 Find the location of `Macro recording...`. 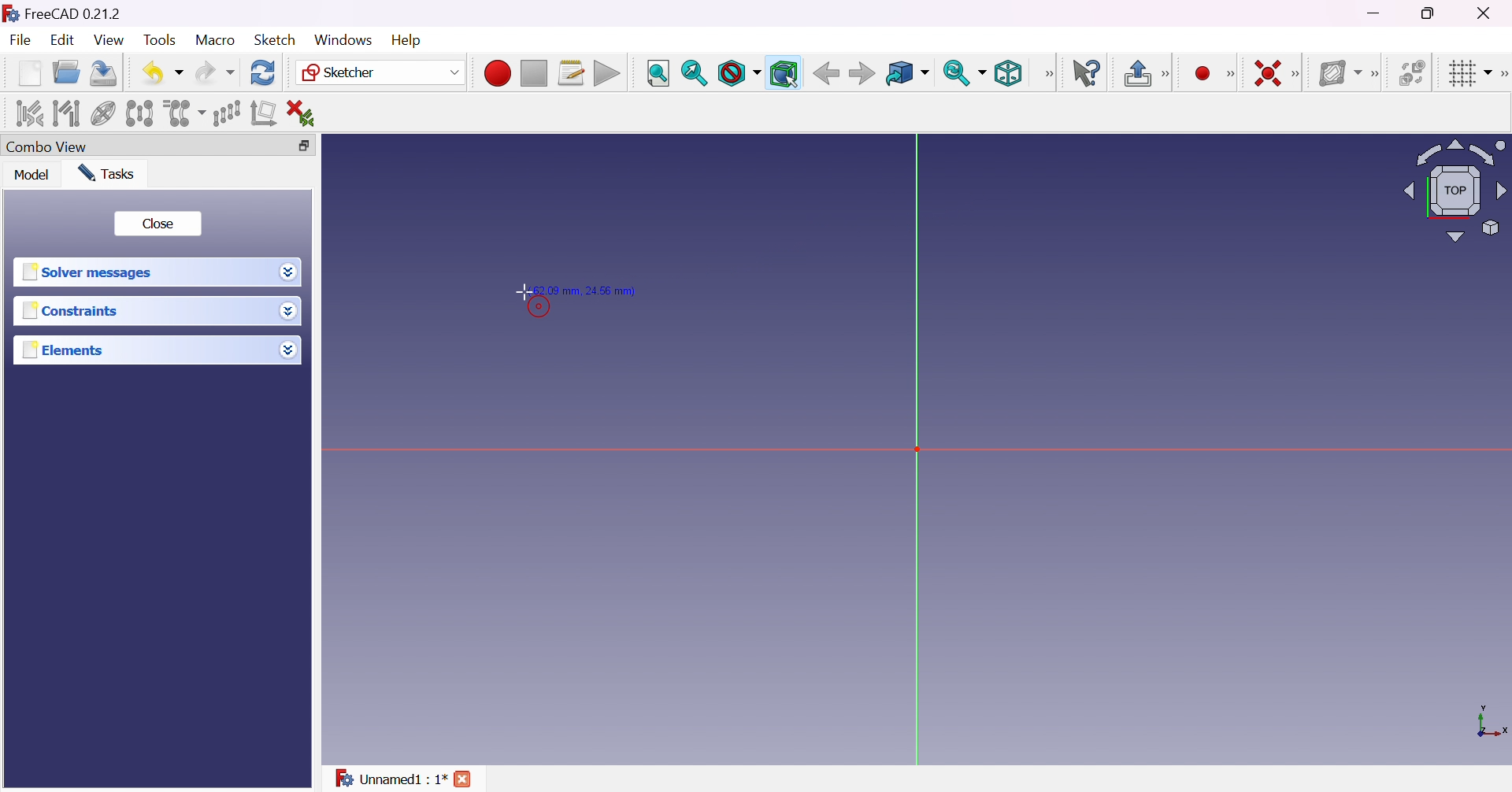

Macro recording... is located at coordinates (497, 71).